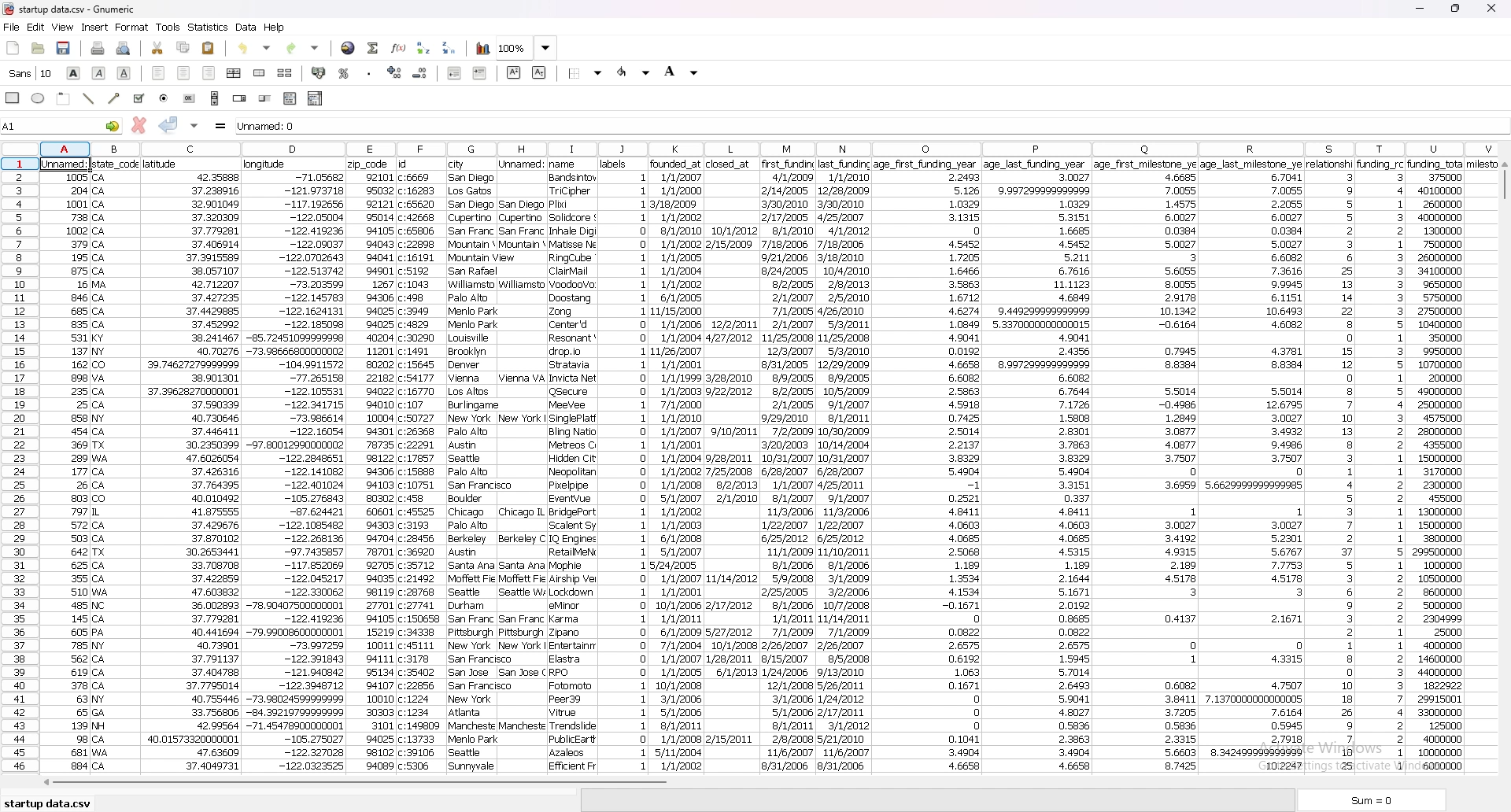 Image resolution: width=1511 pixels, height=812 pixels. Describe the element at coordinates (675, 467) in the screenshot. I see `data` at that location.